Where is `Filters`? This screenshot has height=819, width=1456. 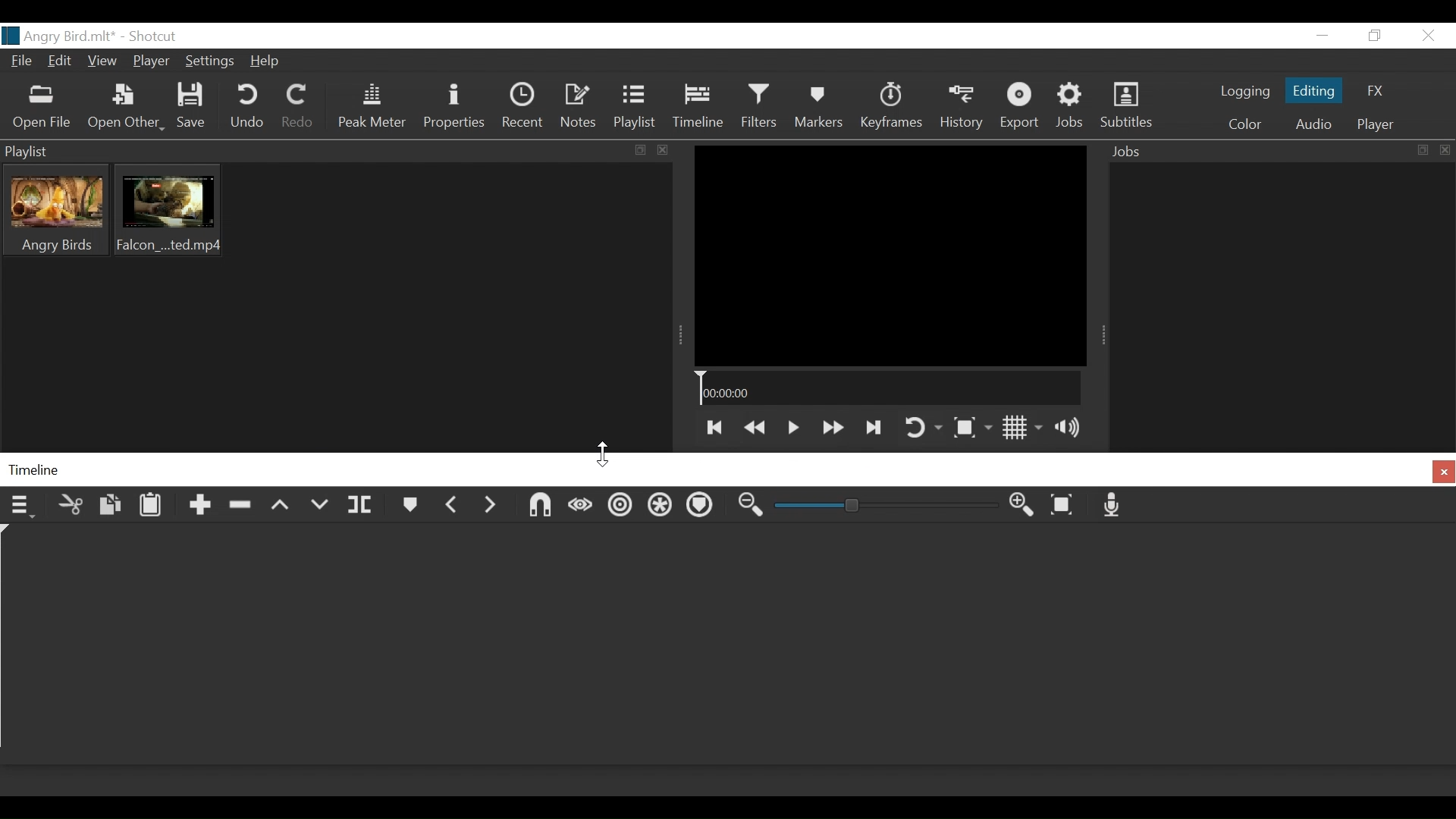 Filters is located at coordinates (764, 108).